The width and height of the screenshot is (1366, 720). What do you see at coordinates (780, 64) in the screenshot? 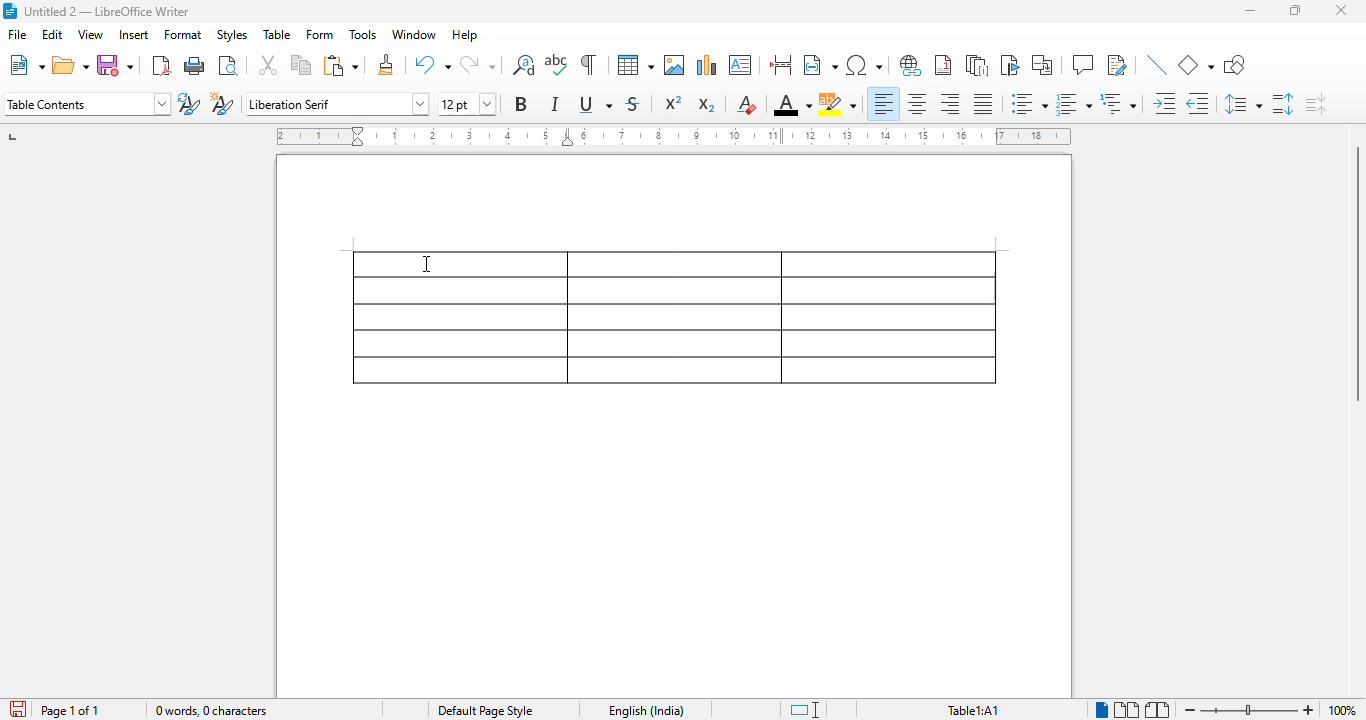
I see `insert page break` at bounding box center [780, 64].